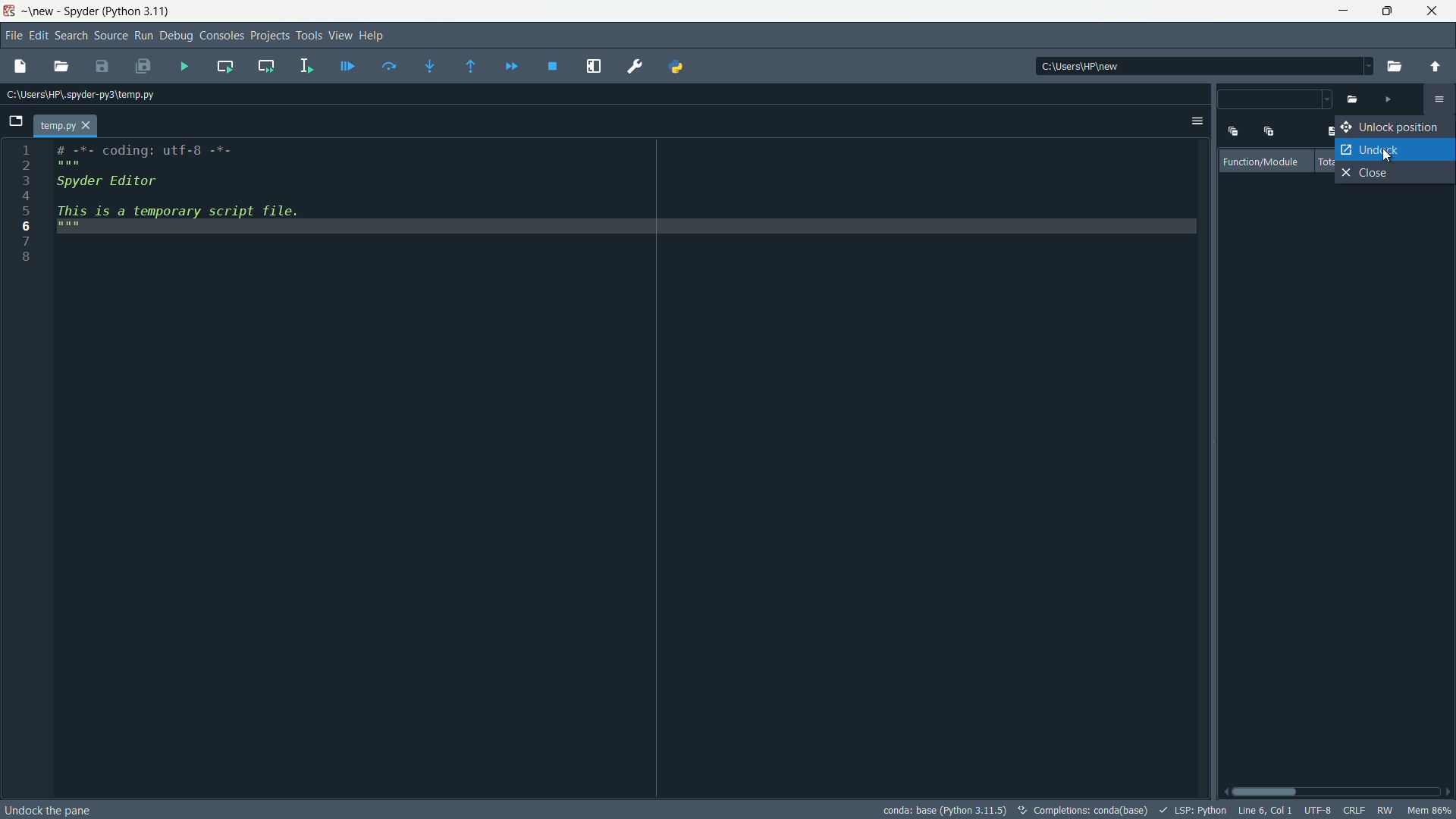  I want to click on save all files, so click(143, 67).